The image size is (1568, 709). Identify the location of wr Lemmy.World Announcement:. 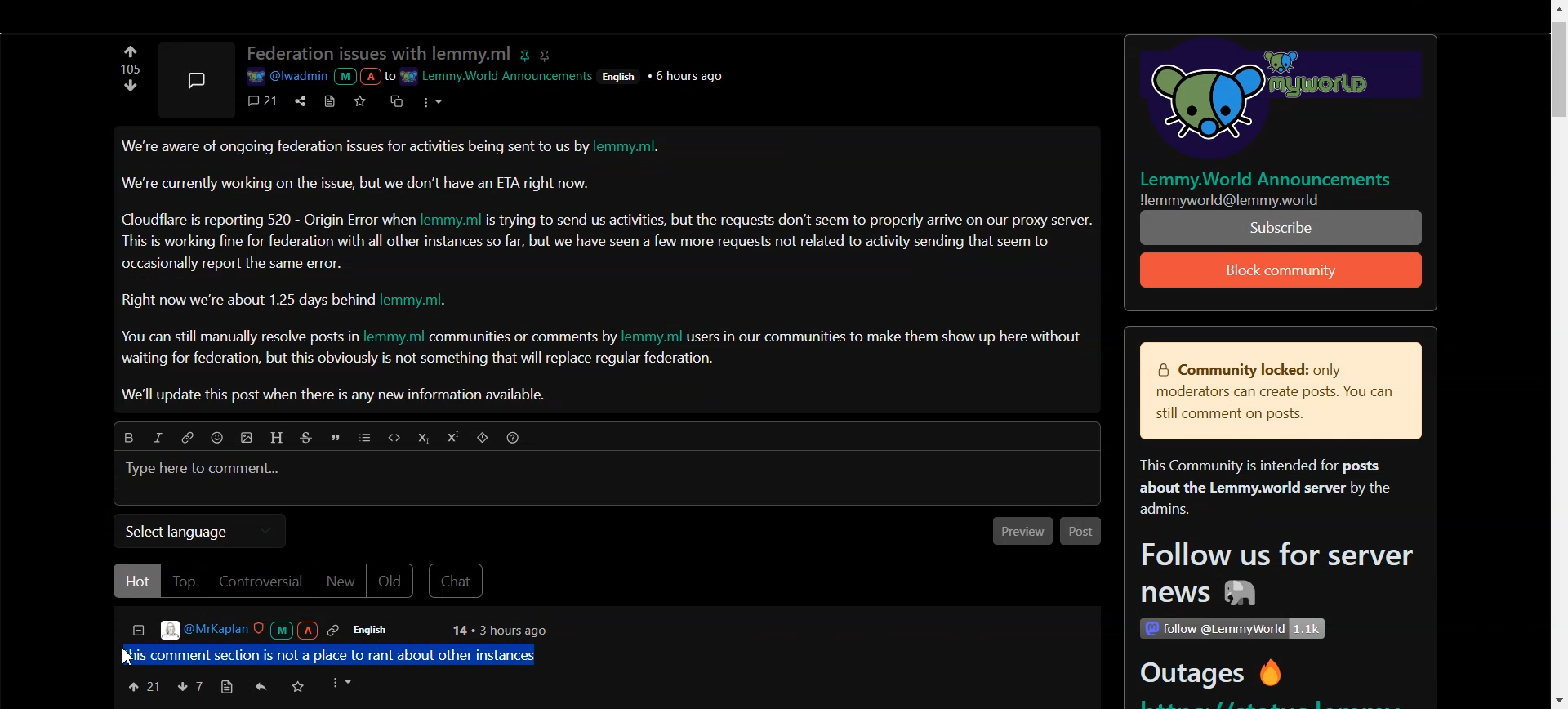
(499, 74).